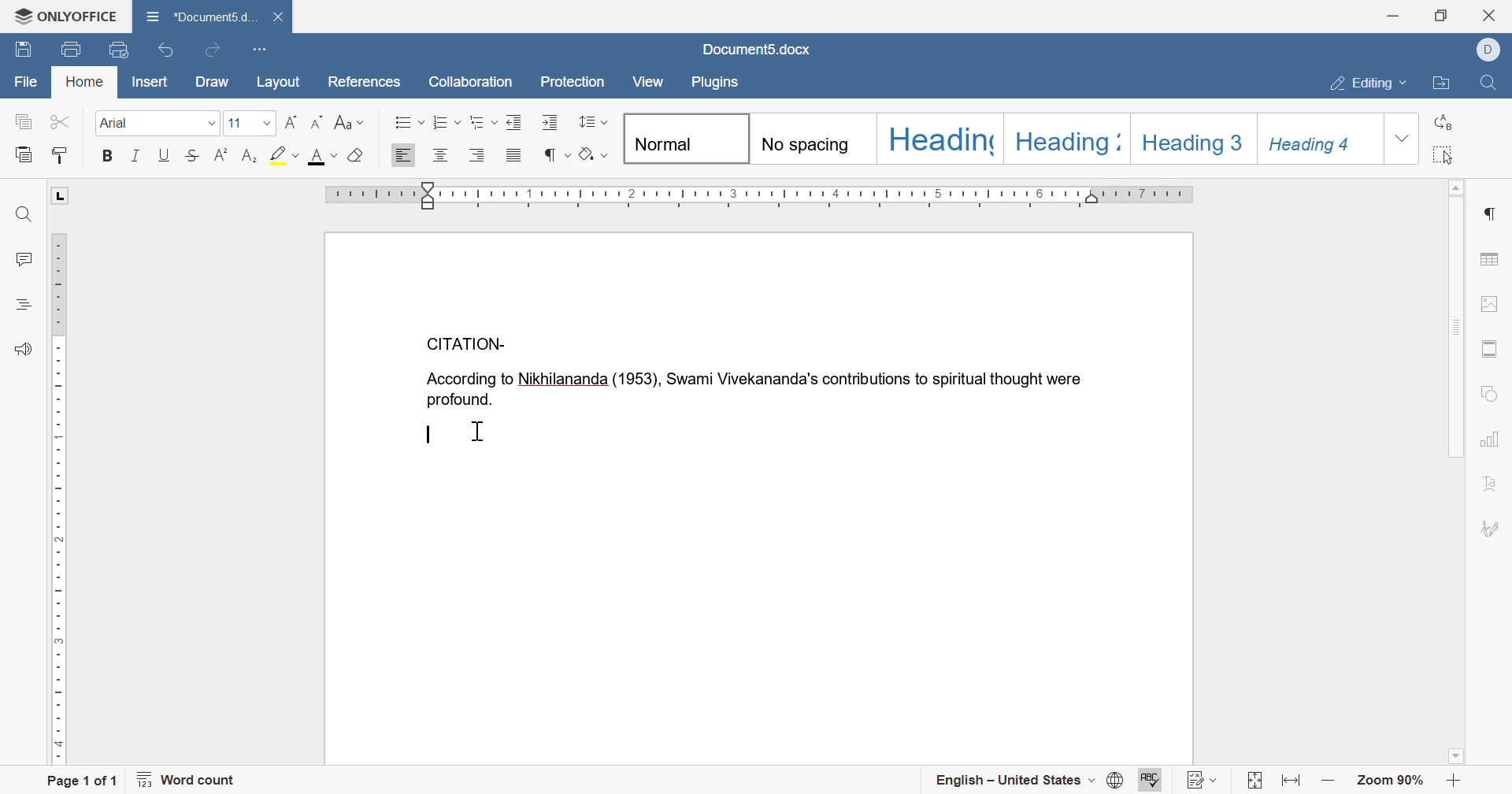 The width and height of the screenshot is (1512, 794). What do you see at coordinates (351, 122) in the screenshot?
I see `change case` at bounding box center [351, 122].